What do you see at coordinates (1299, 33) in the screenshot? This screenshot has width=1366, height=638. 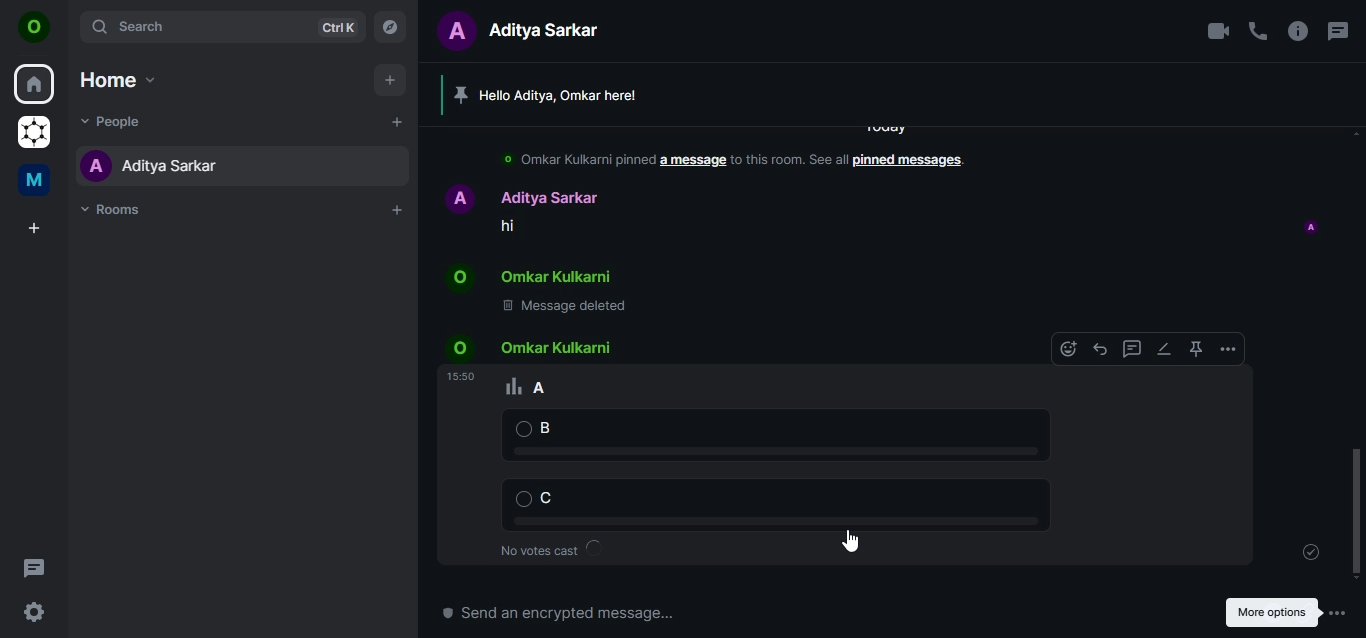 I see `room options` at bounding box center [1299, 33].